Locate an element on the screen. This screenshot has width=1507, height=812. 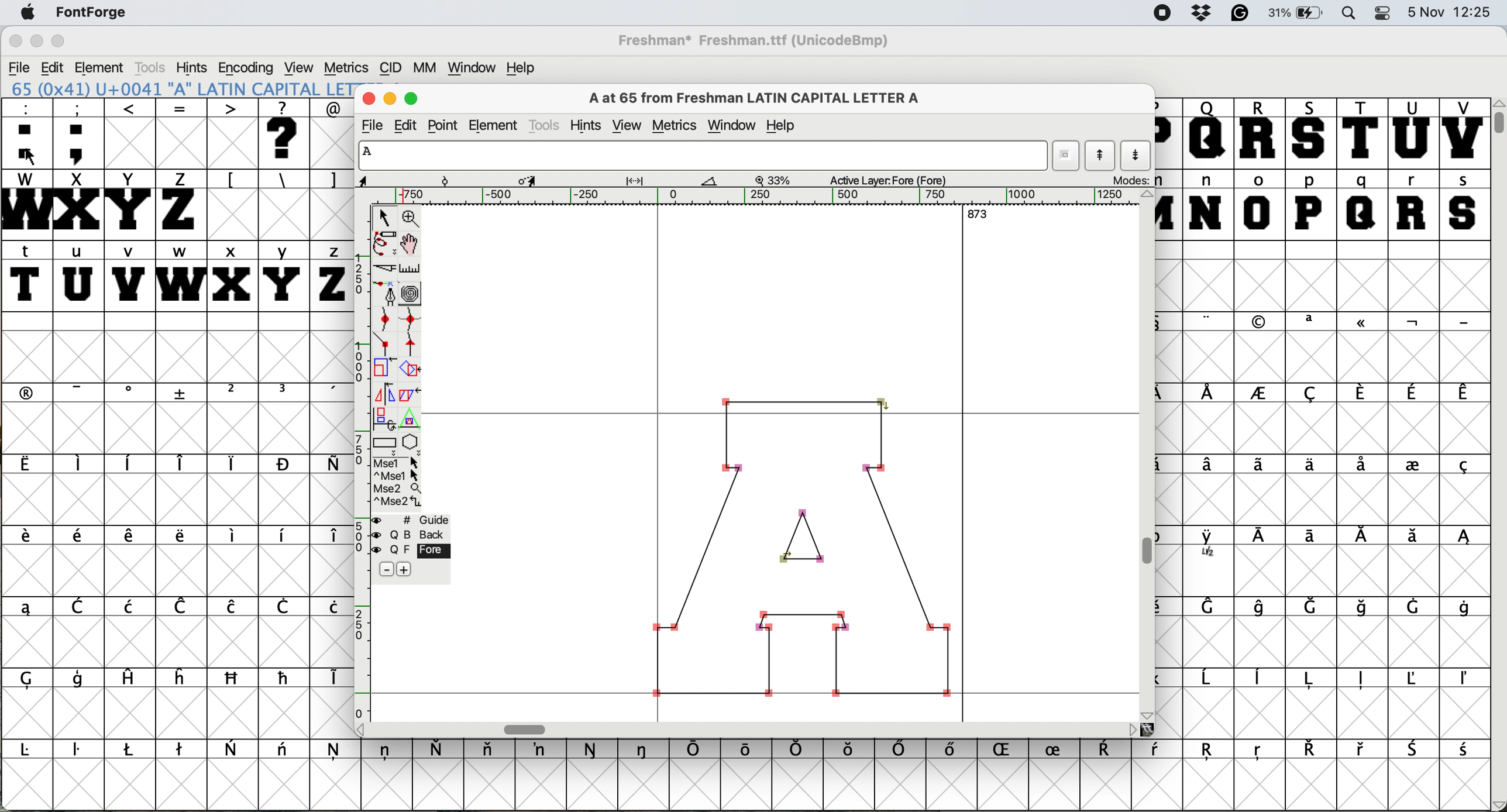
symbol is located at coordinates (81, 538).